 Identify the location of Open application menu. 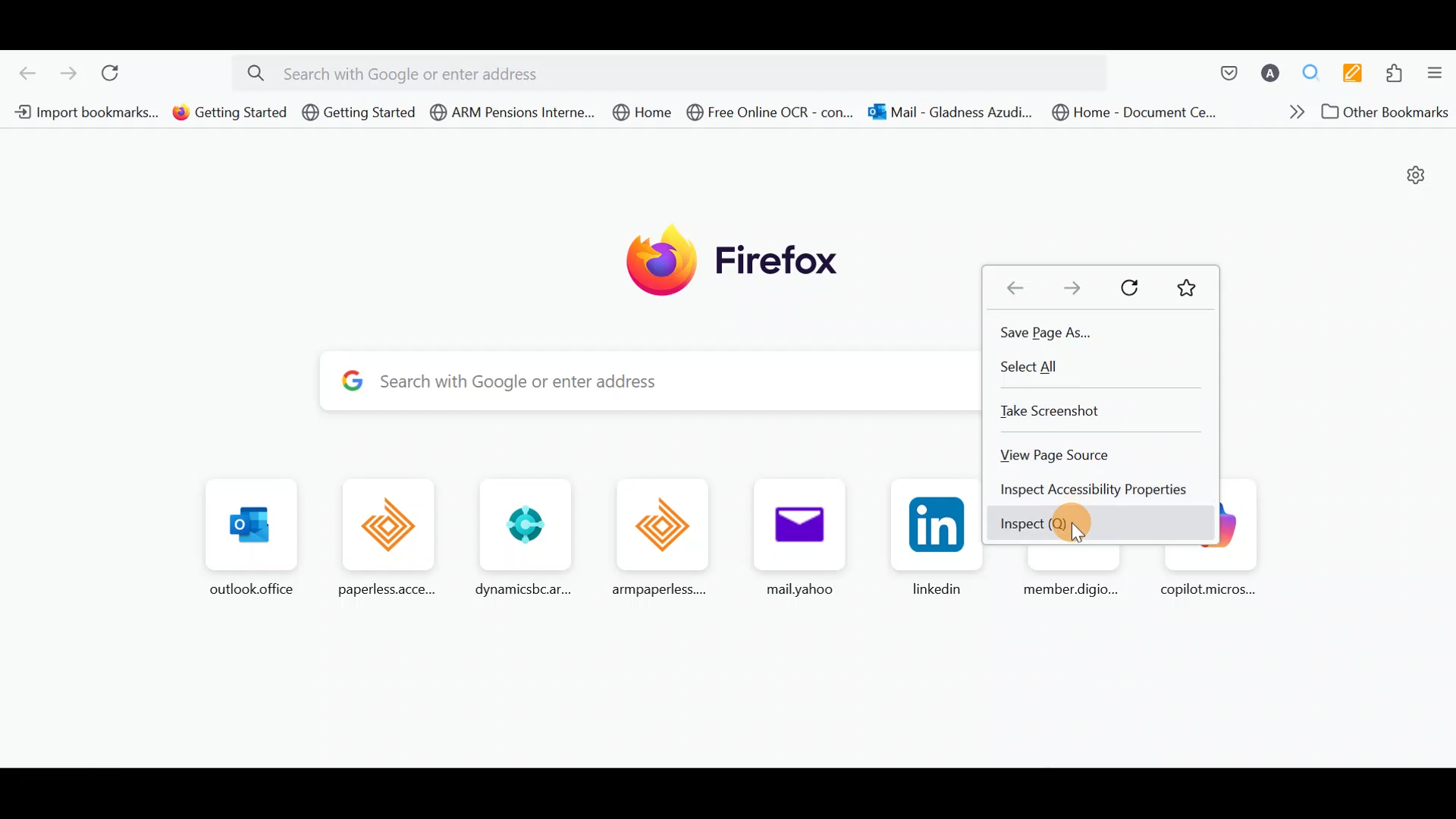
(1437, 69).